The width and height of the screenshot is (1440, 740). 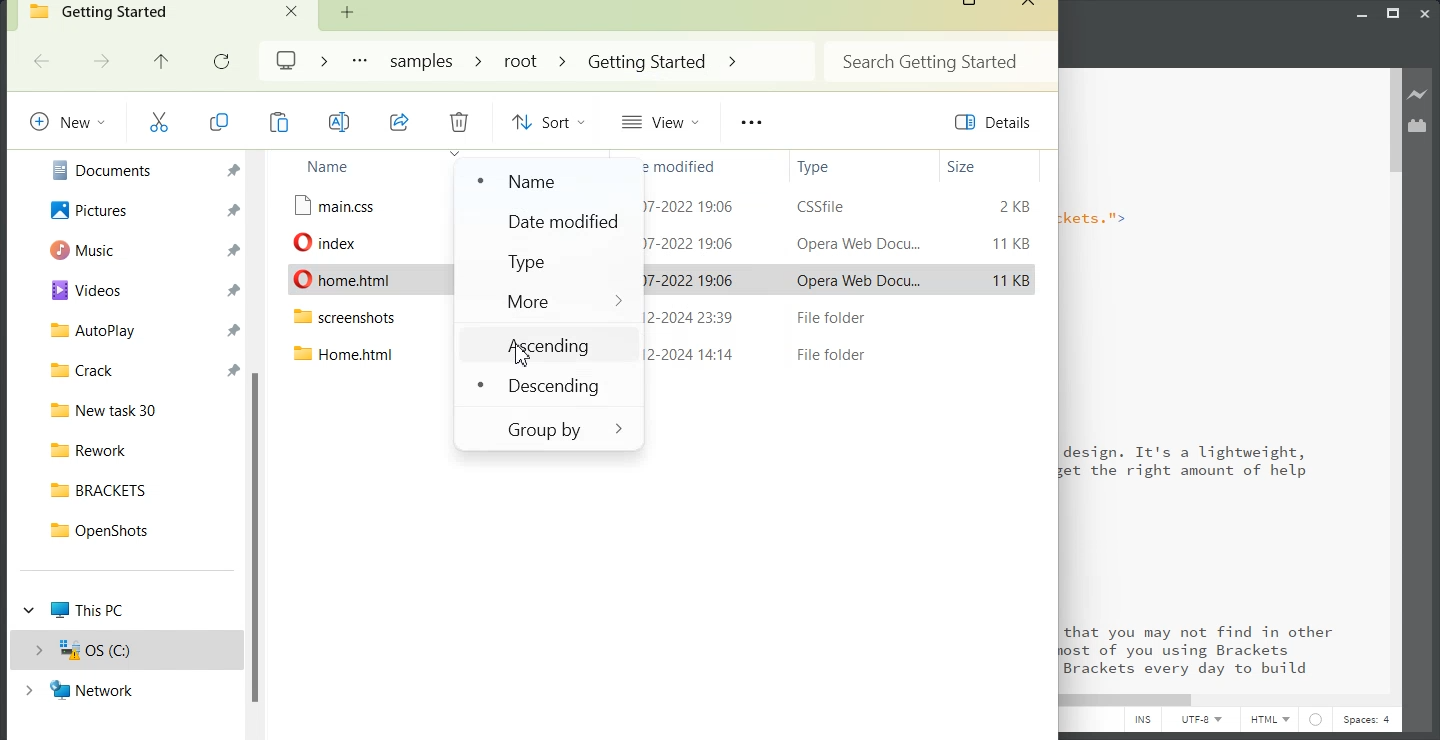 I want to click on INS, so click(x=1142, y=722).